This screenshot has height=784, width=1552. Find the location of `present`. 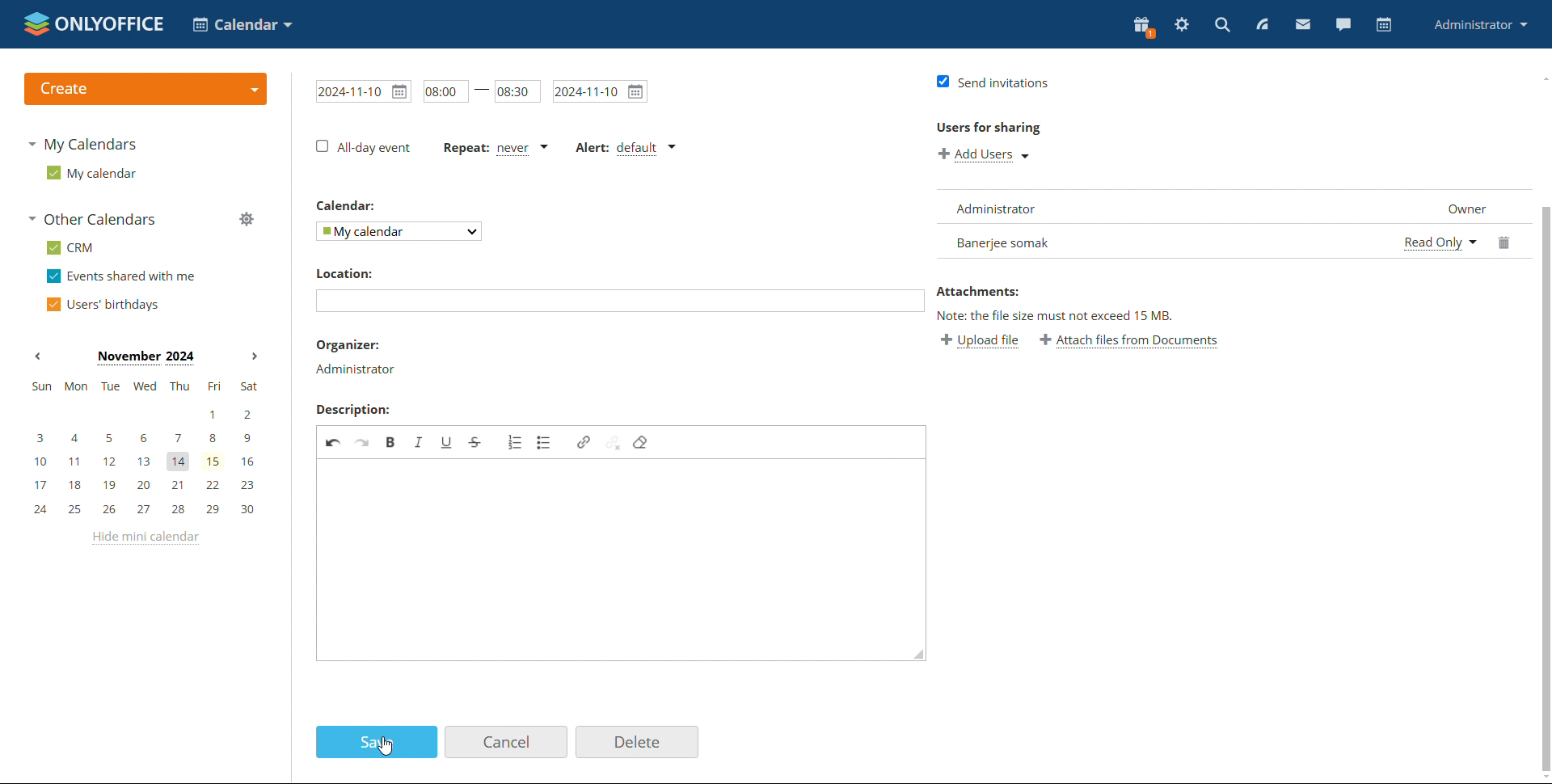

present is located at coordinates (1144, 27).